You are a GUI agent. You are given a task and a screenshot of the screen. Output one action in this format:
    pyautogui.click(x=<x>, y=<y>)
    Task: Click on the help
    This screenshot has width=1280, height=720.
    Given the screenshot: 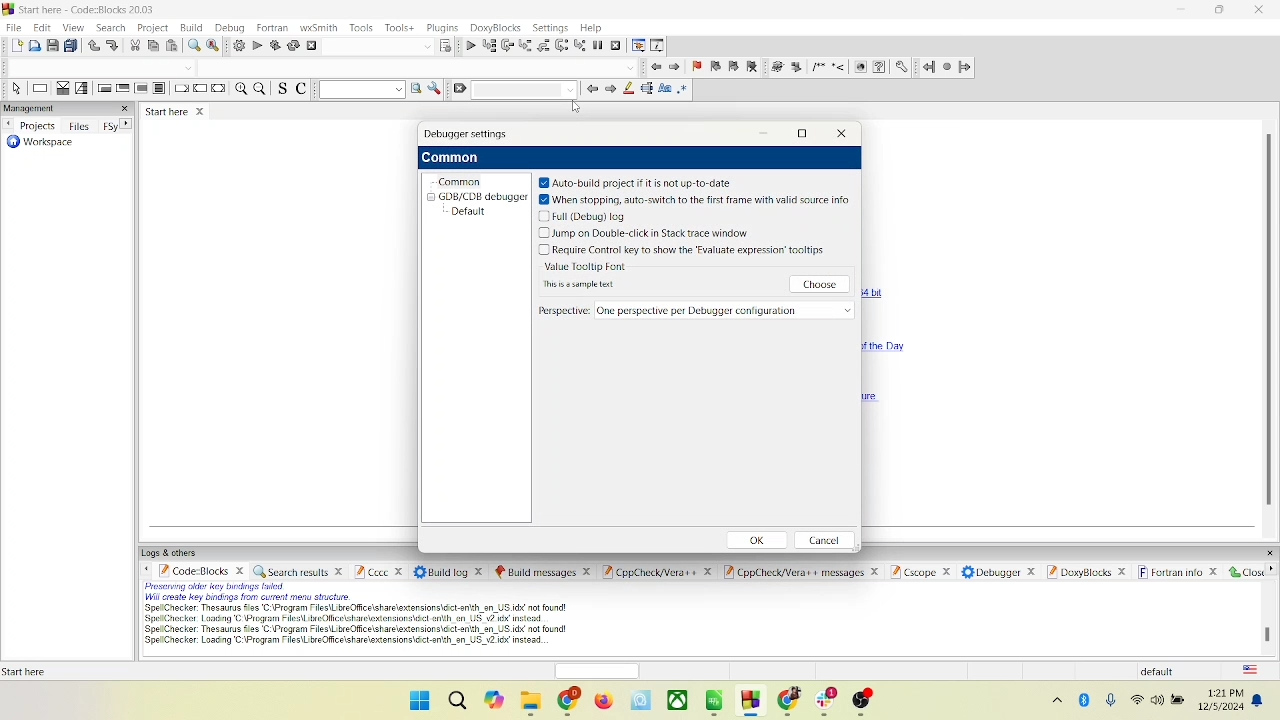 What is the action you would take?
    pyautogui.click(x=591, y=28)
    